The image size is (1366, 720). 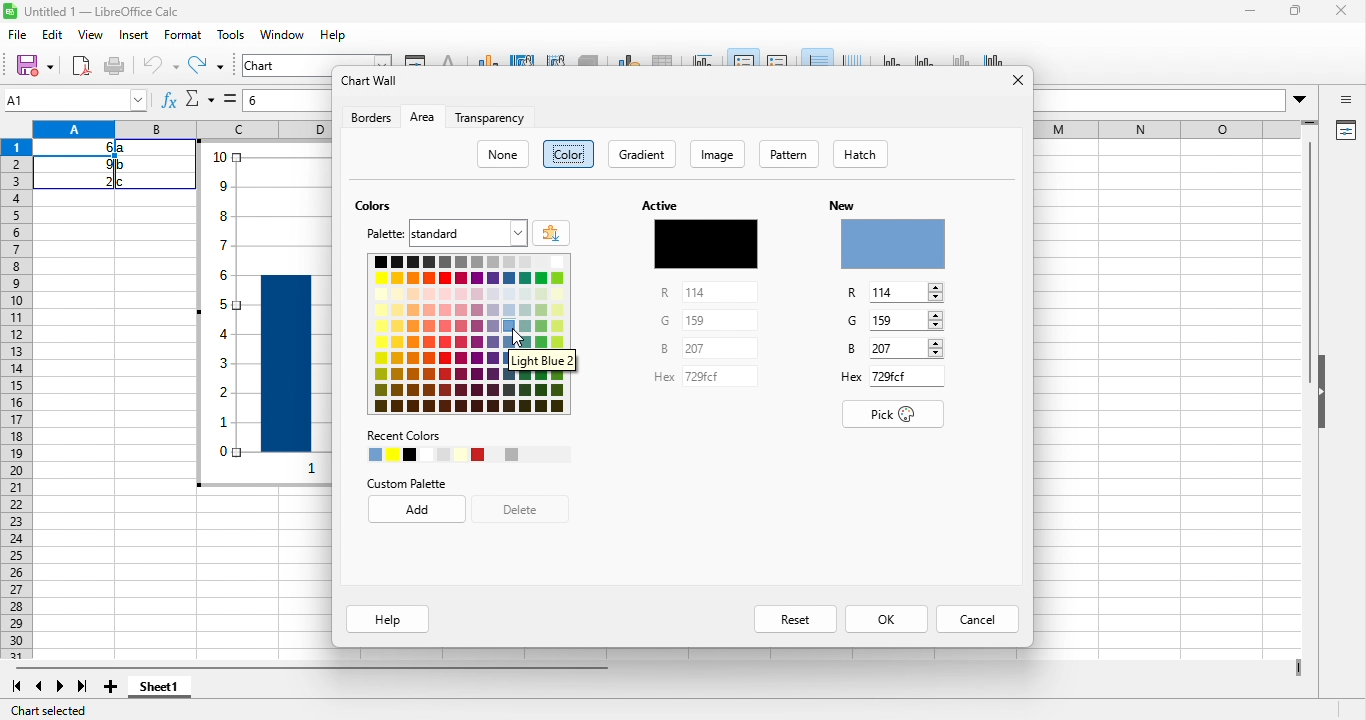 What do you see at coordinates (1312, 267) in the screenshot?
I see `vertical scroll bar` at bounding box center [1312, 267].